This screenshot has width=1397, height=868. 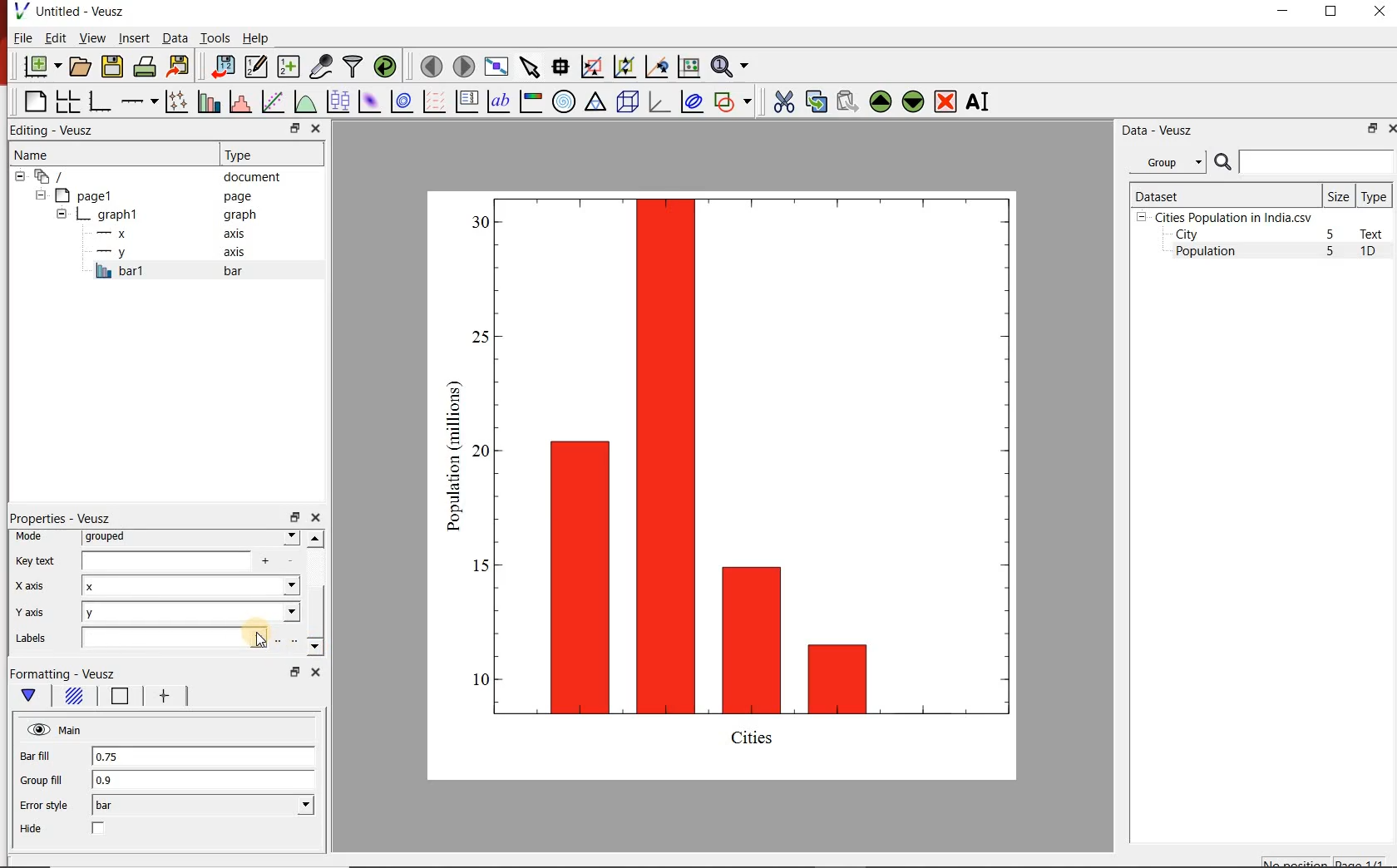 I want to click on Size, so click(x=1339, y=195).